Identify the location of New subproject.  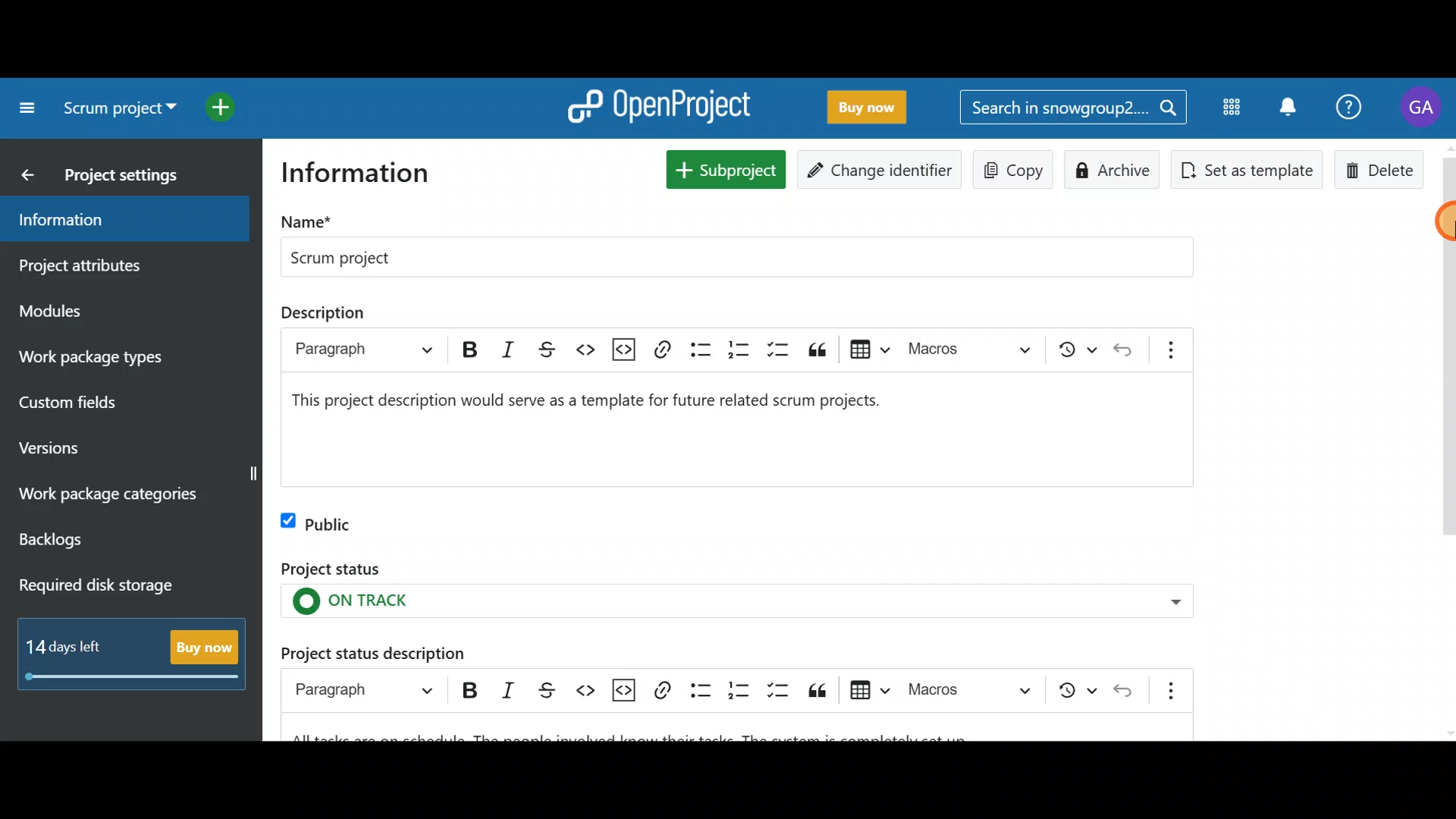
(723, 168).